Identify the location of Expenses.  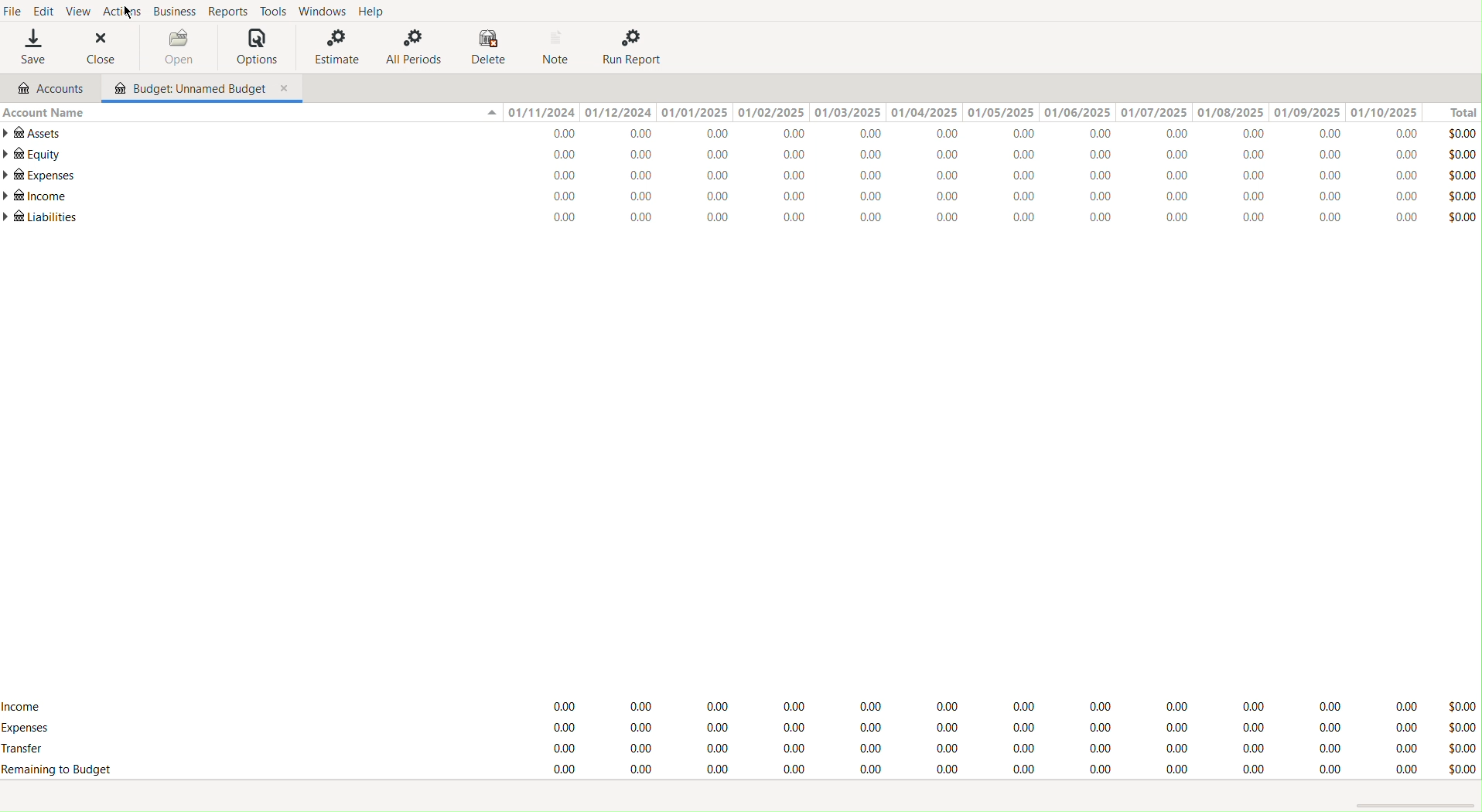
(27, 728).